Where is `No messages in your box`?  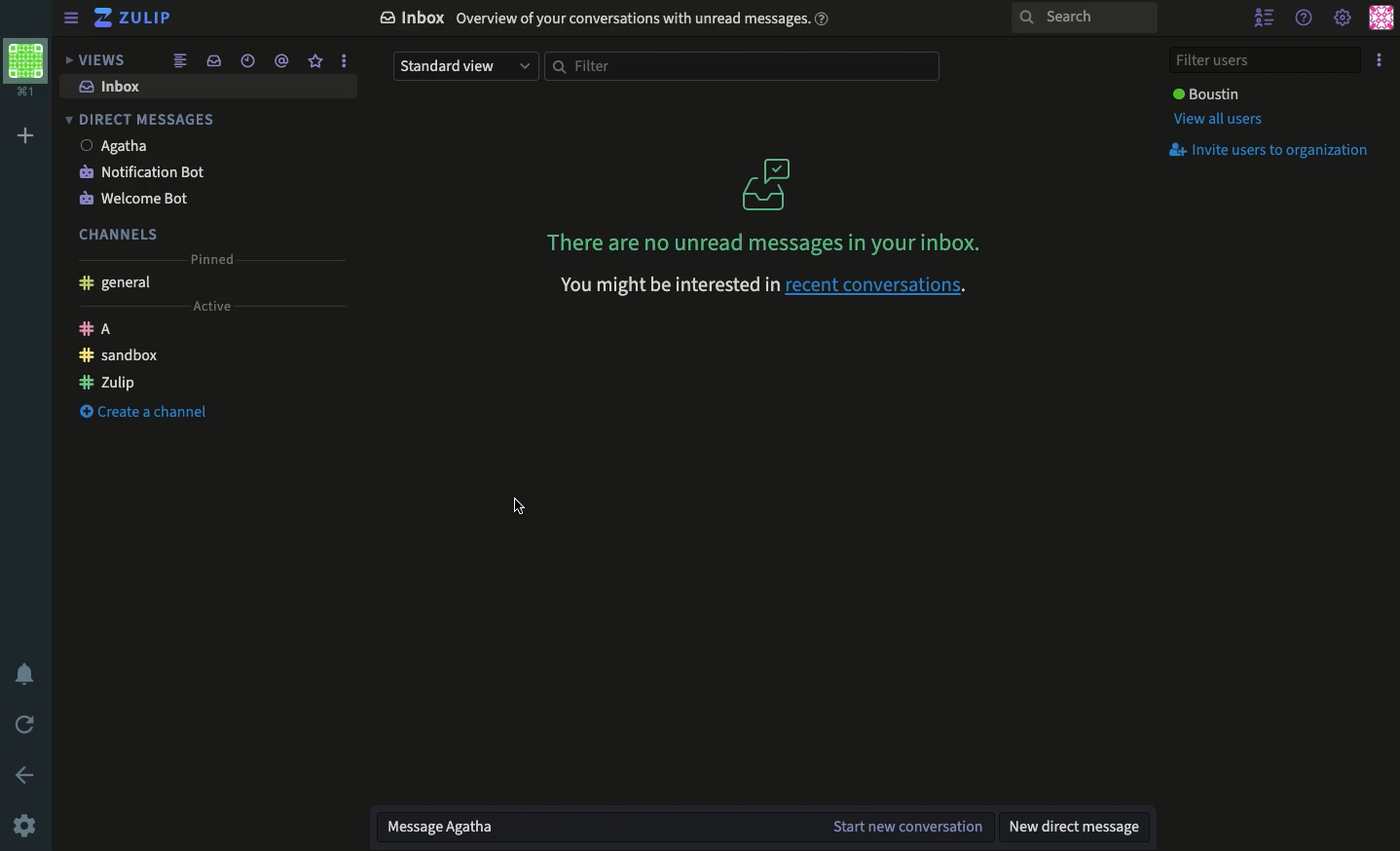 No messages in your box is located at coordinates (767, 203).